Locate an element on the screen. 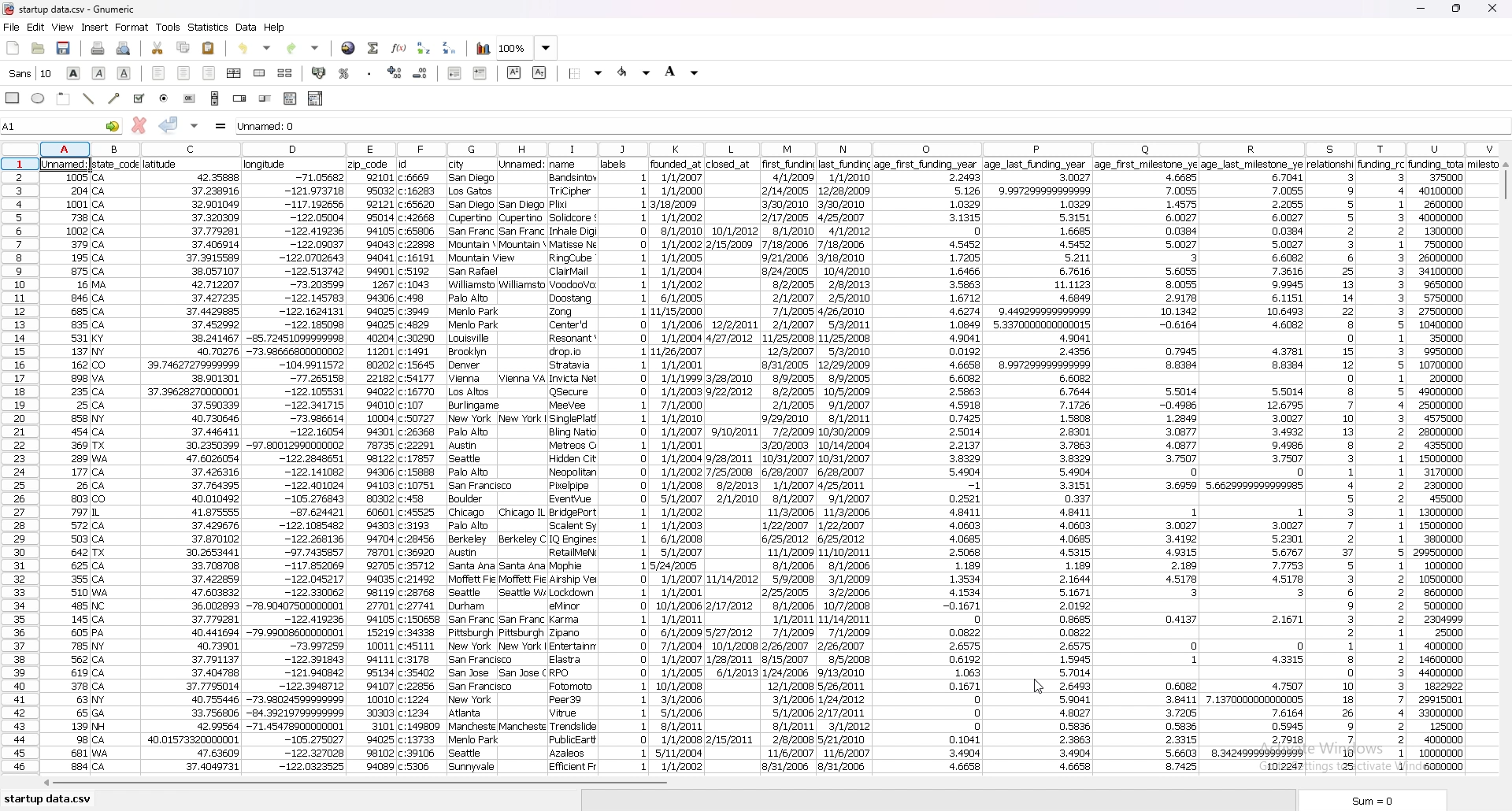  print preview is located at coordinates (124, 49).